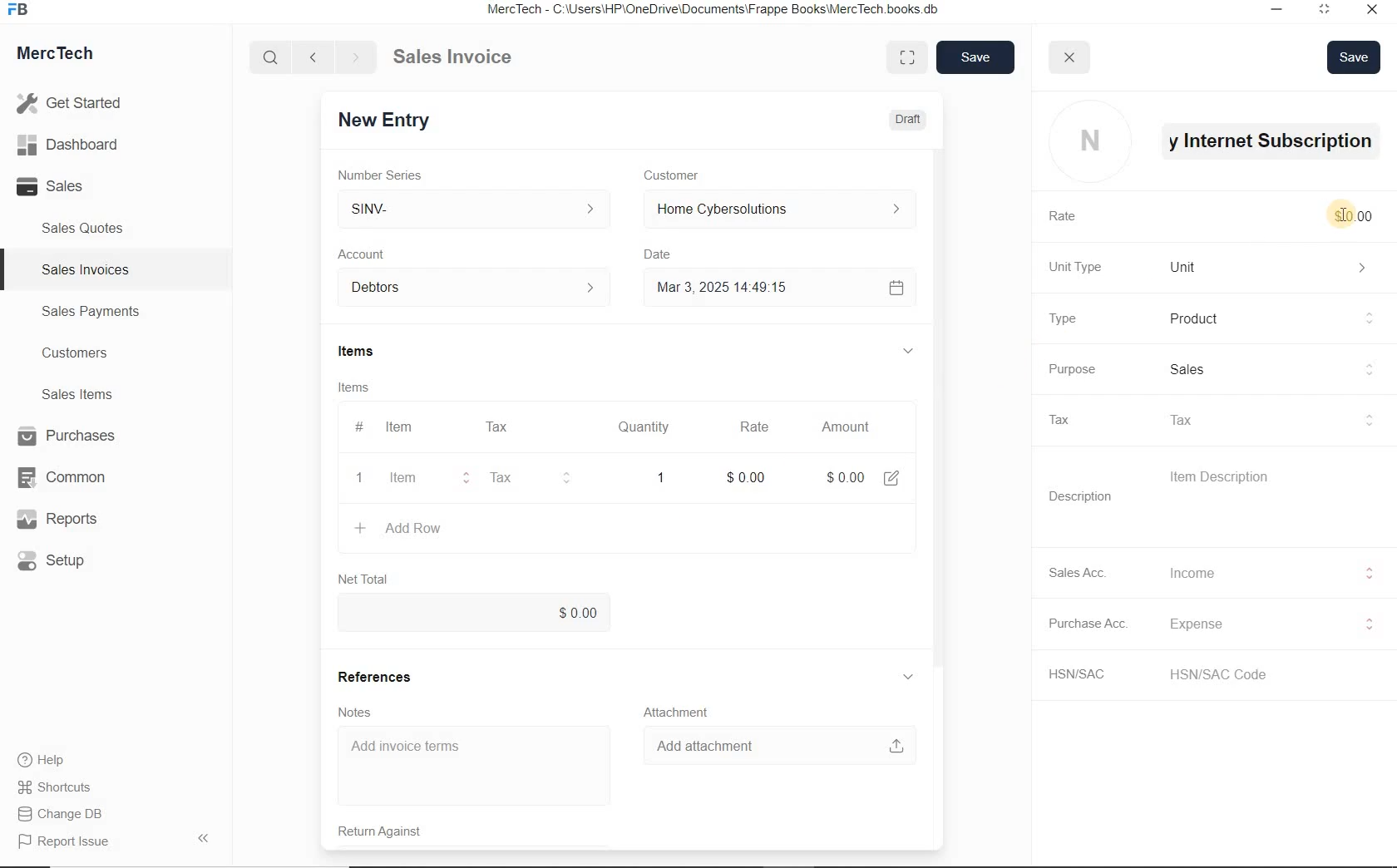 The image size is (1397, 868). Describe the element at coordinates (715, 10) in the screenshot. I see `MercTech - C:\Users\HP\OneDrive\Documents\Frappe Books\MercTech books db` at that location.